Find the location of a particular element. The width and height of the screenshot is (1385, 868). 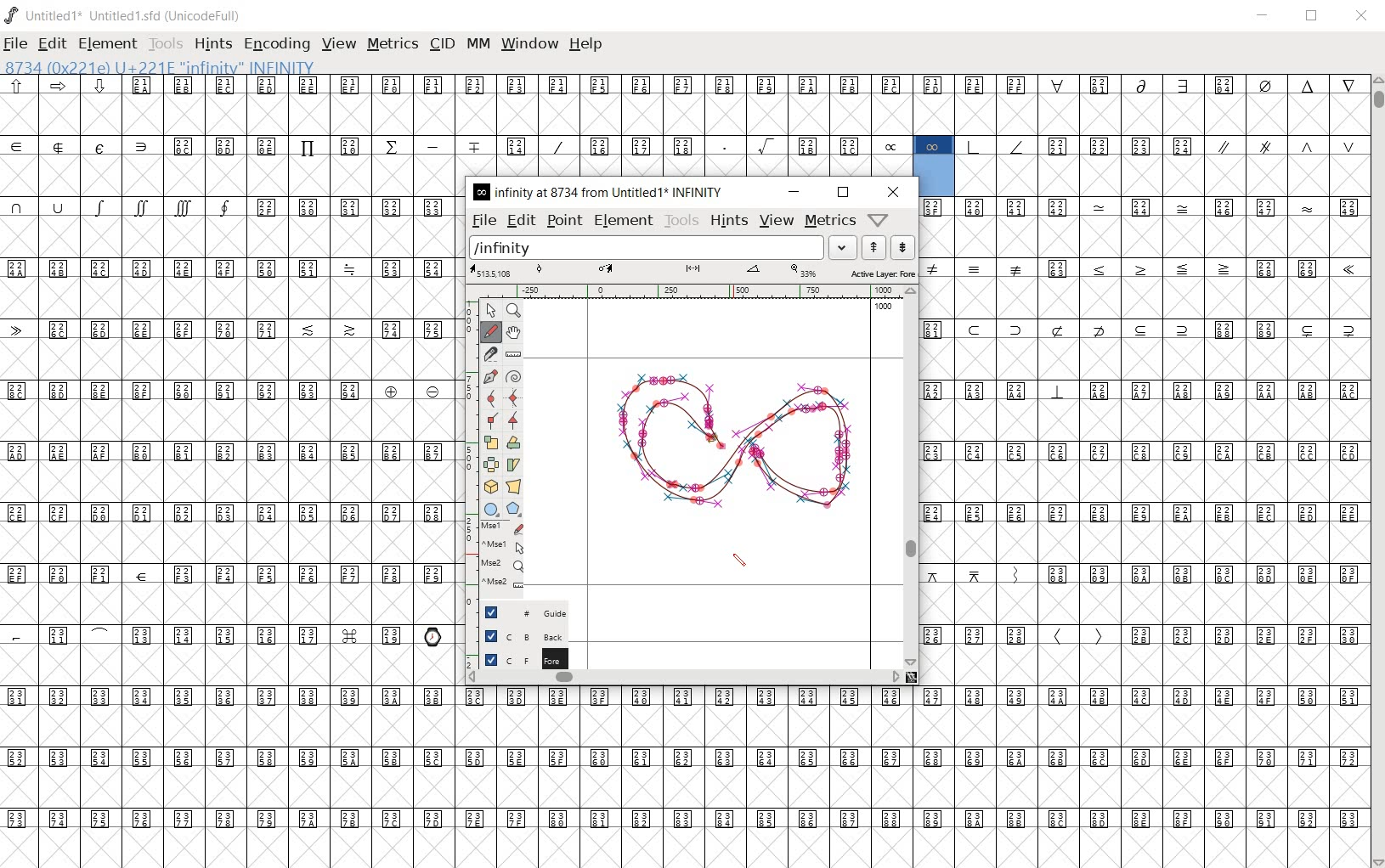

close is located at coordinates (895, 192).